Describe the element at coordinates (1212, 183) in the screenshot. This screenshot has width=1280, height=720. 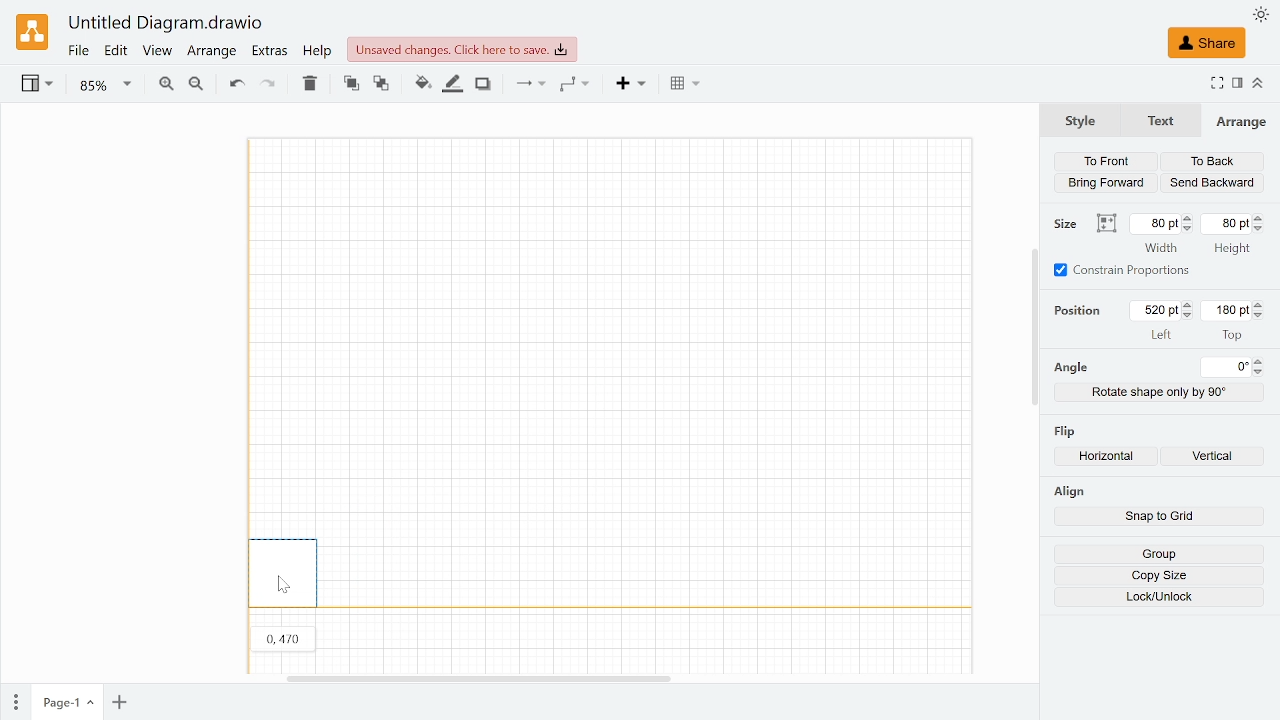
I see `Send backwards` at that location.